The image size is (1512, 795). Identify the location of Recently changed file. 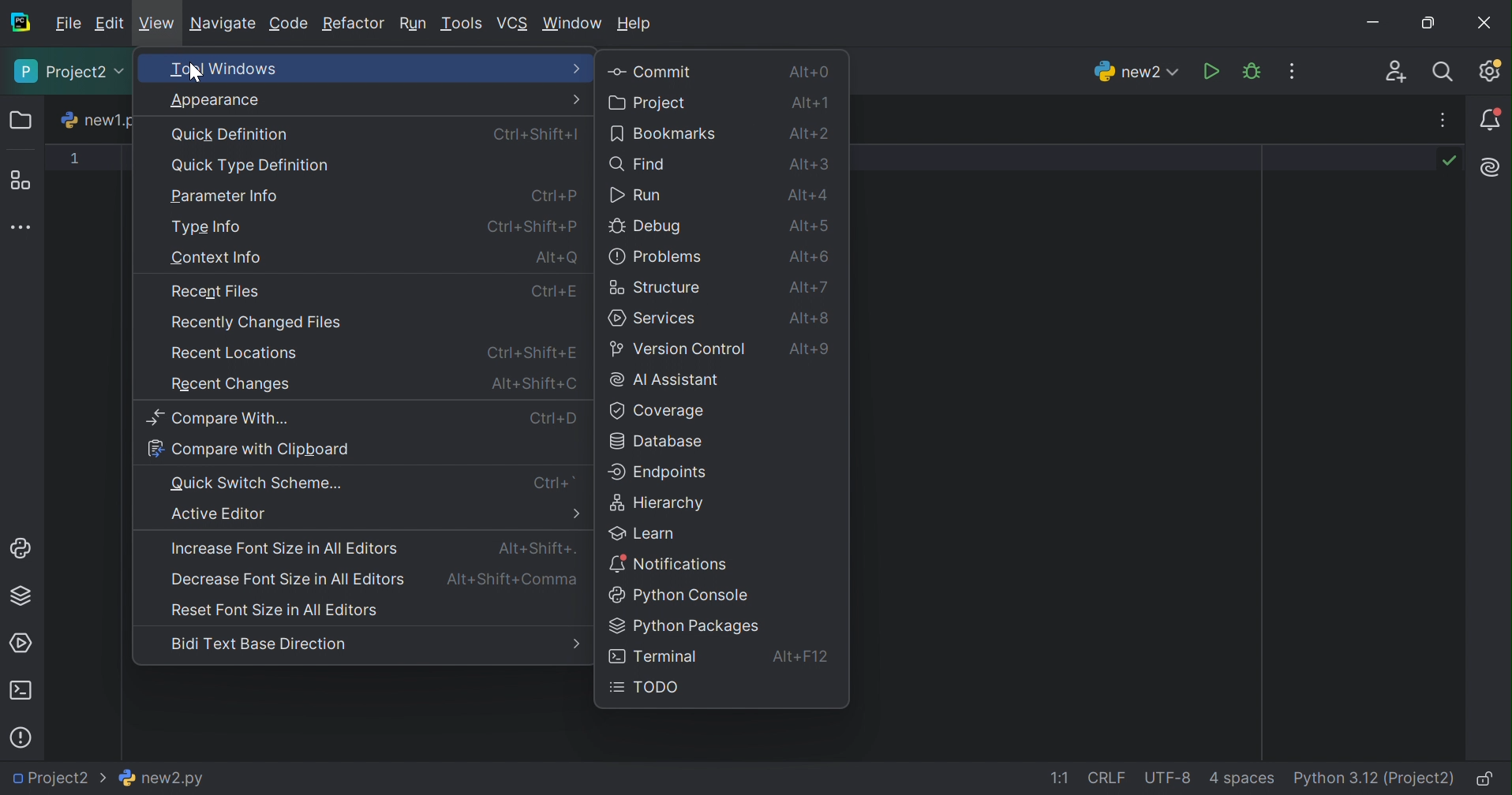
(254, 323).